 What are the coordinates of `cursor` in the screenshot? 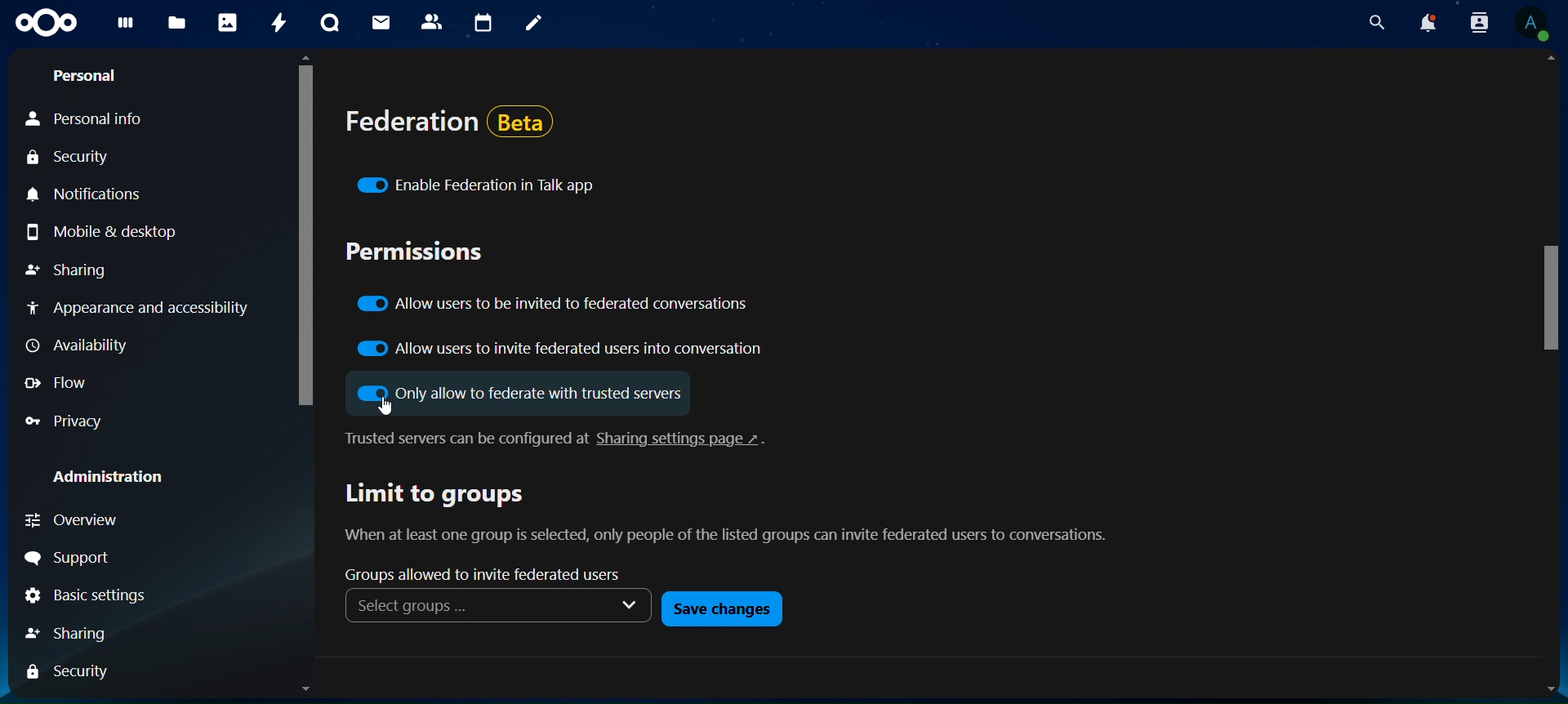 It's located at (386, 407).